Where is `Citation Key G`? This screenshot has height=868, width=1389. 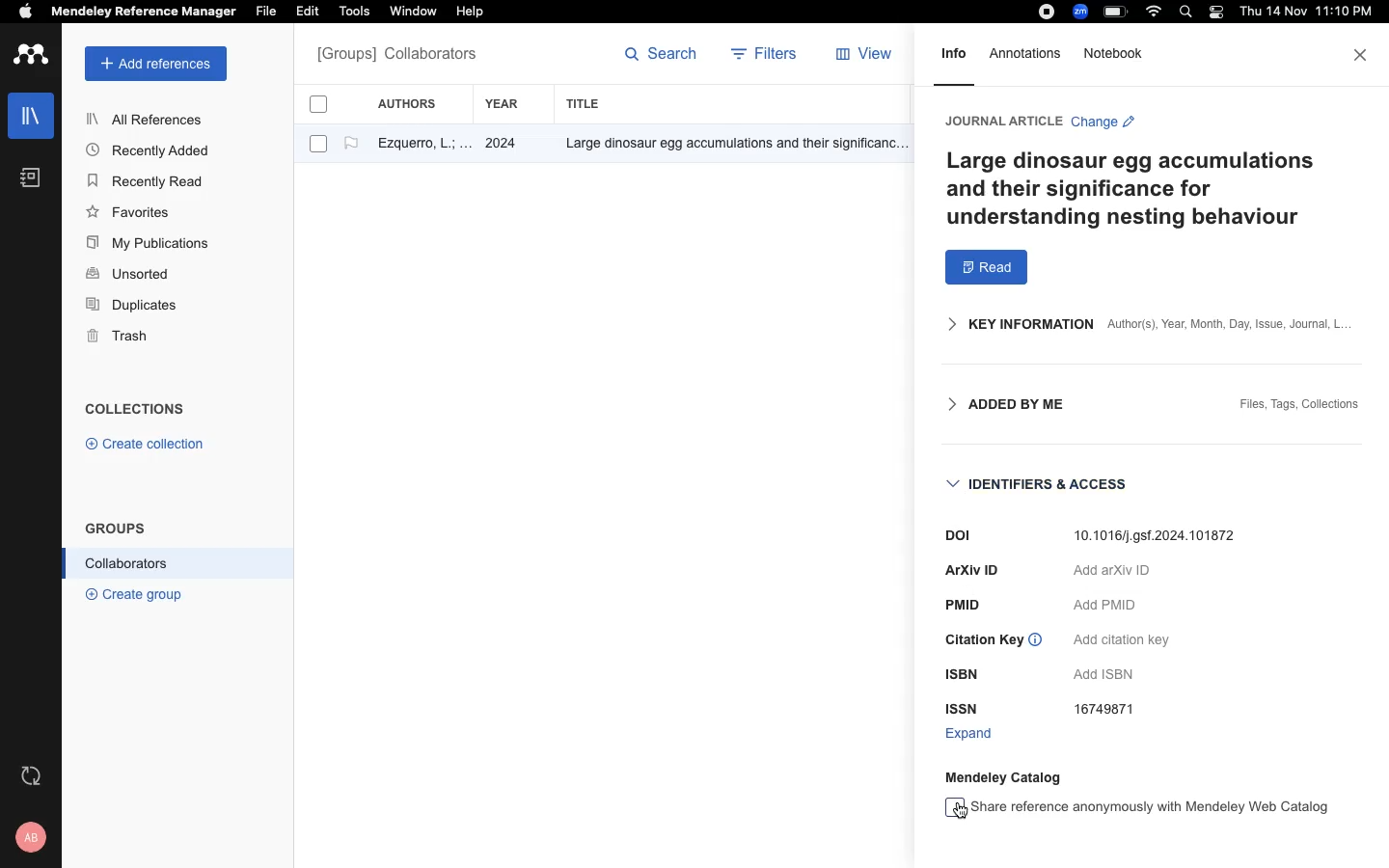
Citation Key G is located at coordinates (994, 642).